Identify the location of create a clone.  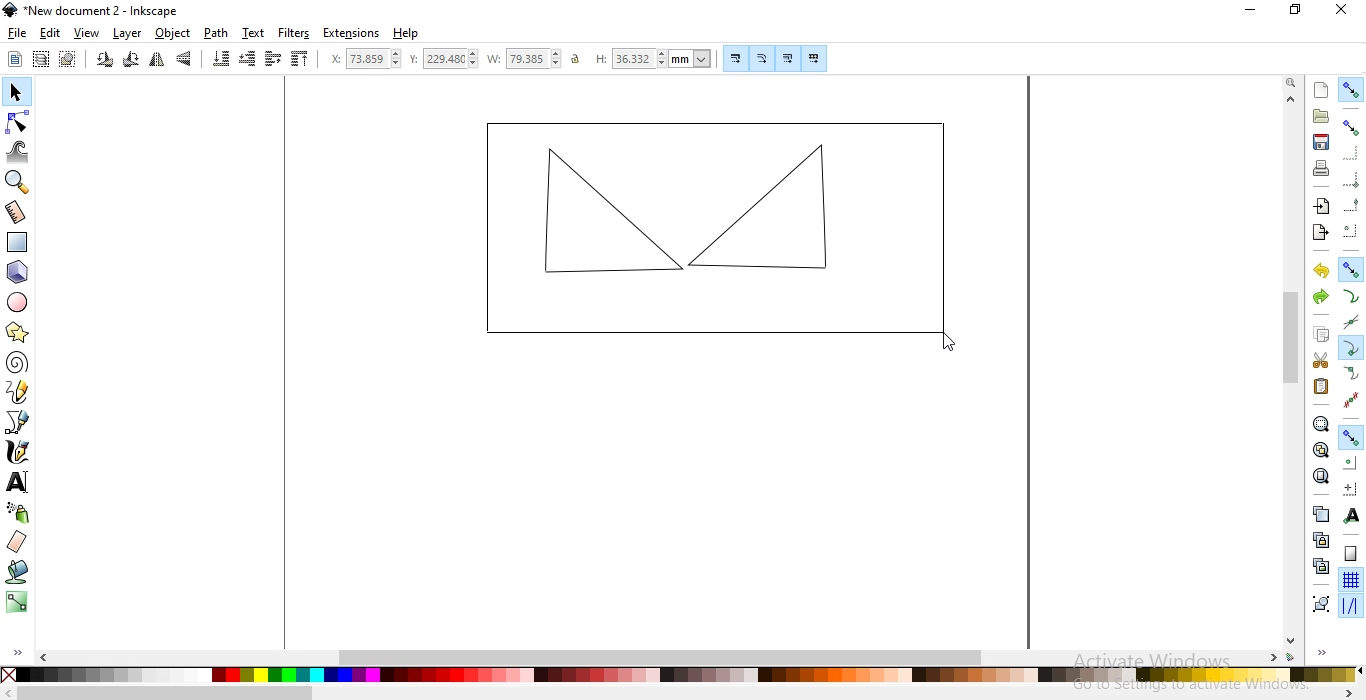
(1317, 539).